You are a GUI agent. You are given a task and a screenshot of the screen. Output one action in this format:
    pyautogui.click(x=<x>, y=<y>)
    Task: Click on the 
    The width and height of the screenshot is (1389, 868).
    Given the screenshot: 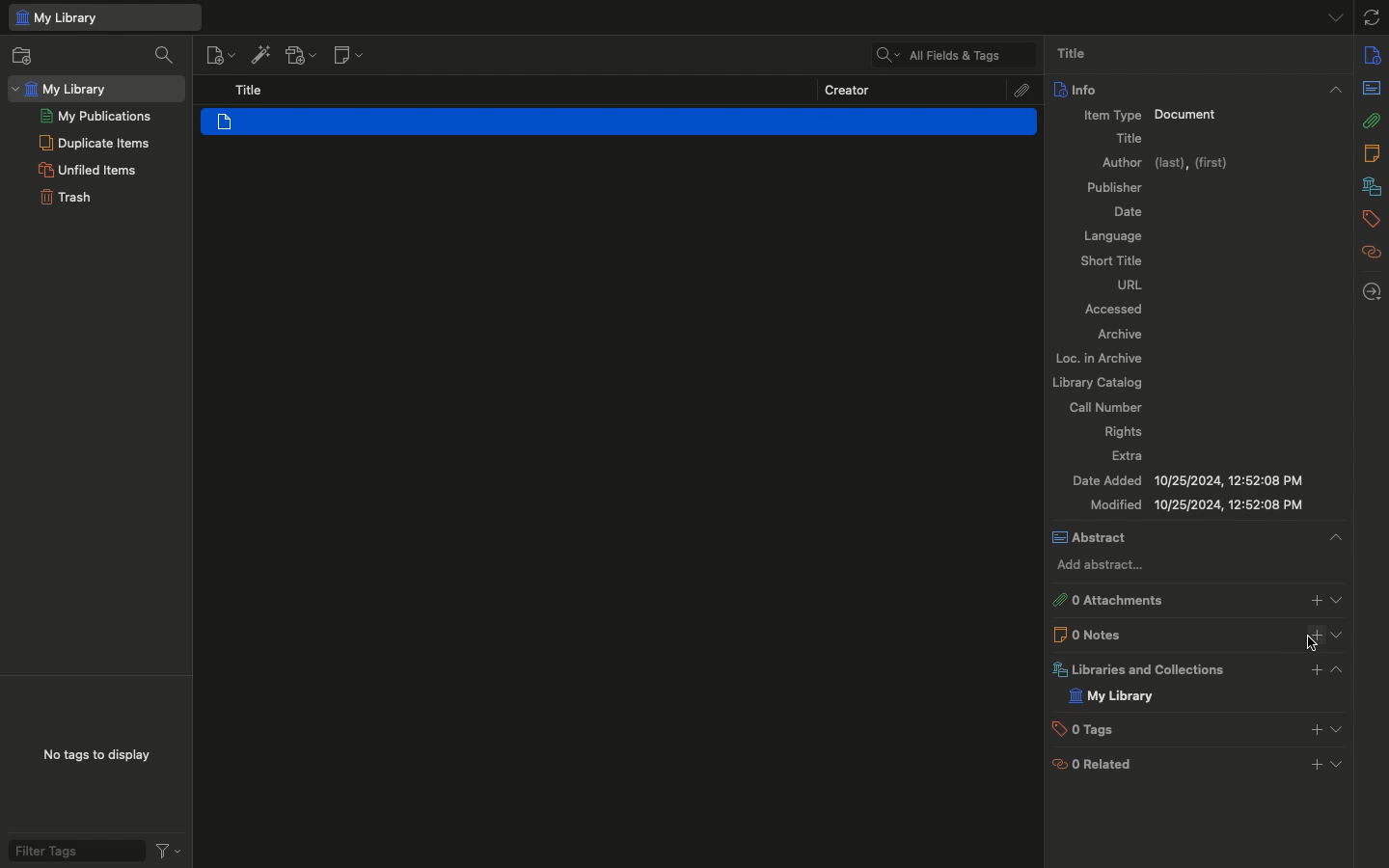 What is the action you would take?
    pyautogui.click(x=1314, y=671)
    